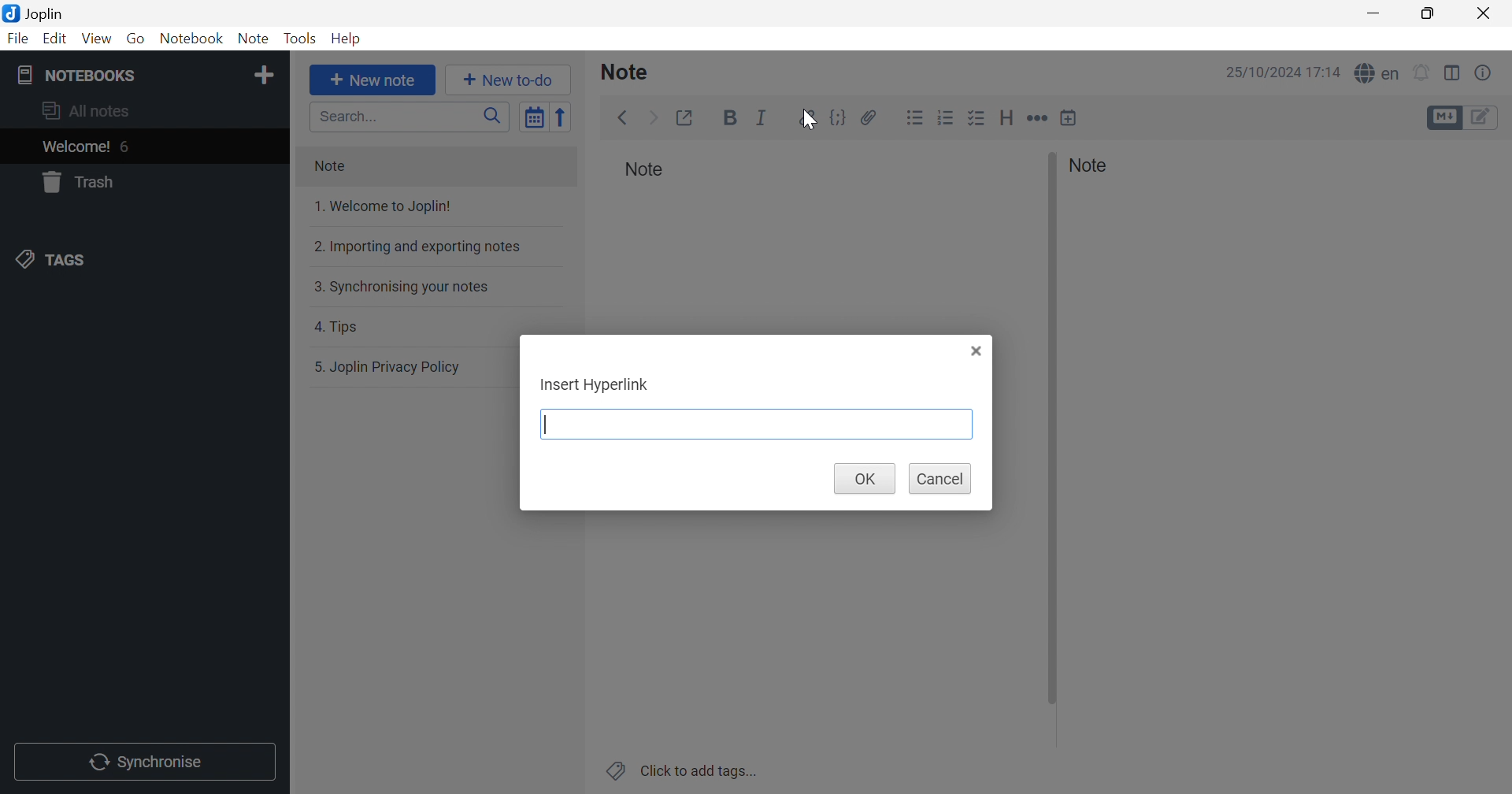 The width and height of the screenshot is (1512, 794). I want to click on Edit, so click(56, 39).